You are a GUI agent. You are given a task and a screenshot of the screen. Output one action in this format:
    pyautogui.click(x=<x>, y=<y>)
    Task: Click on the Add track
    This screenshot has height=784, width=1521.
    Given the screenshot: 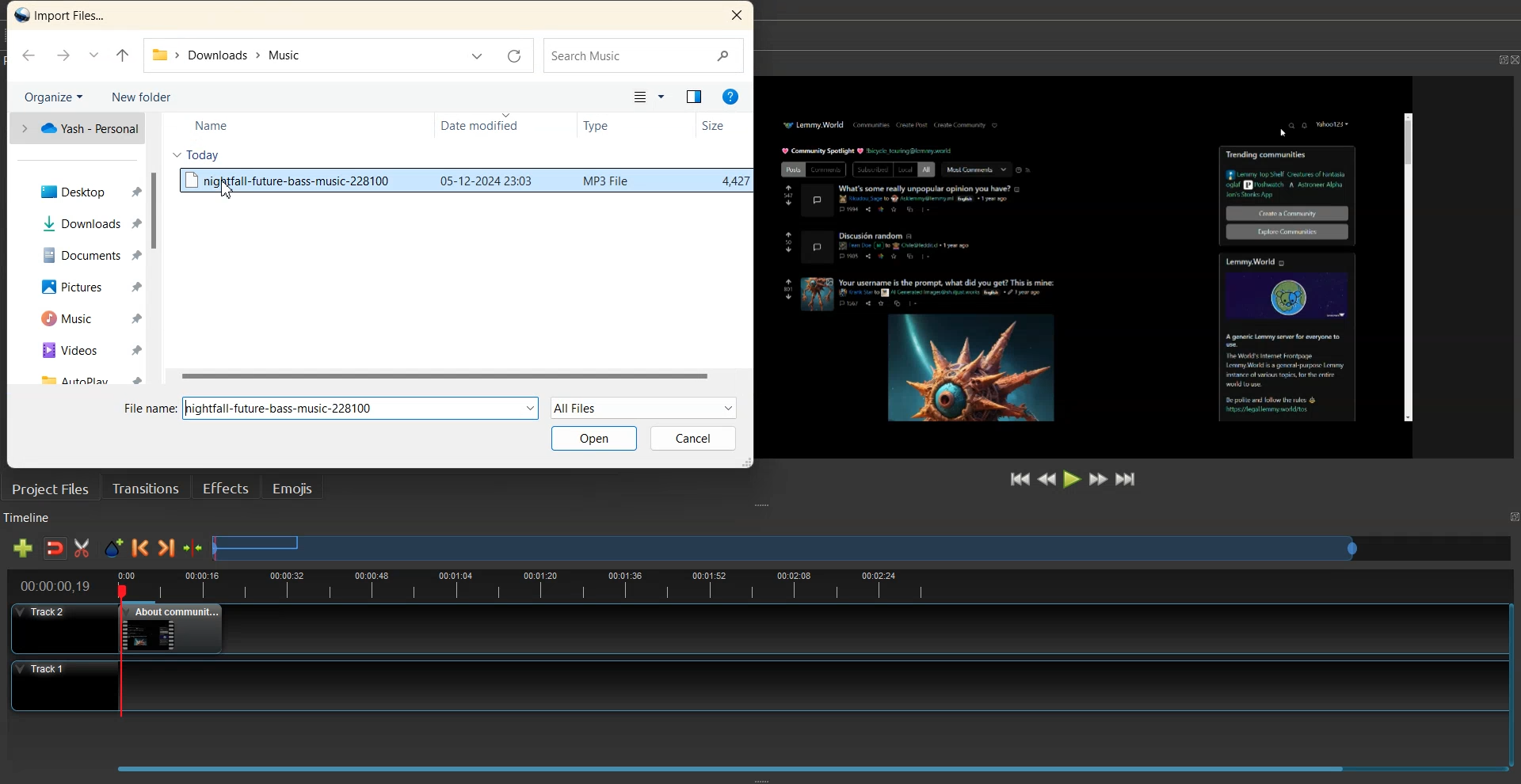 What is the action you would take?
    pyautogui.click(x=22, y=548)
    